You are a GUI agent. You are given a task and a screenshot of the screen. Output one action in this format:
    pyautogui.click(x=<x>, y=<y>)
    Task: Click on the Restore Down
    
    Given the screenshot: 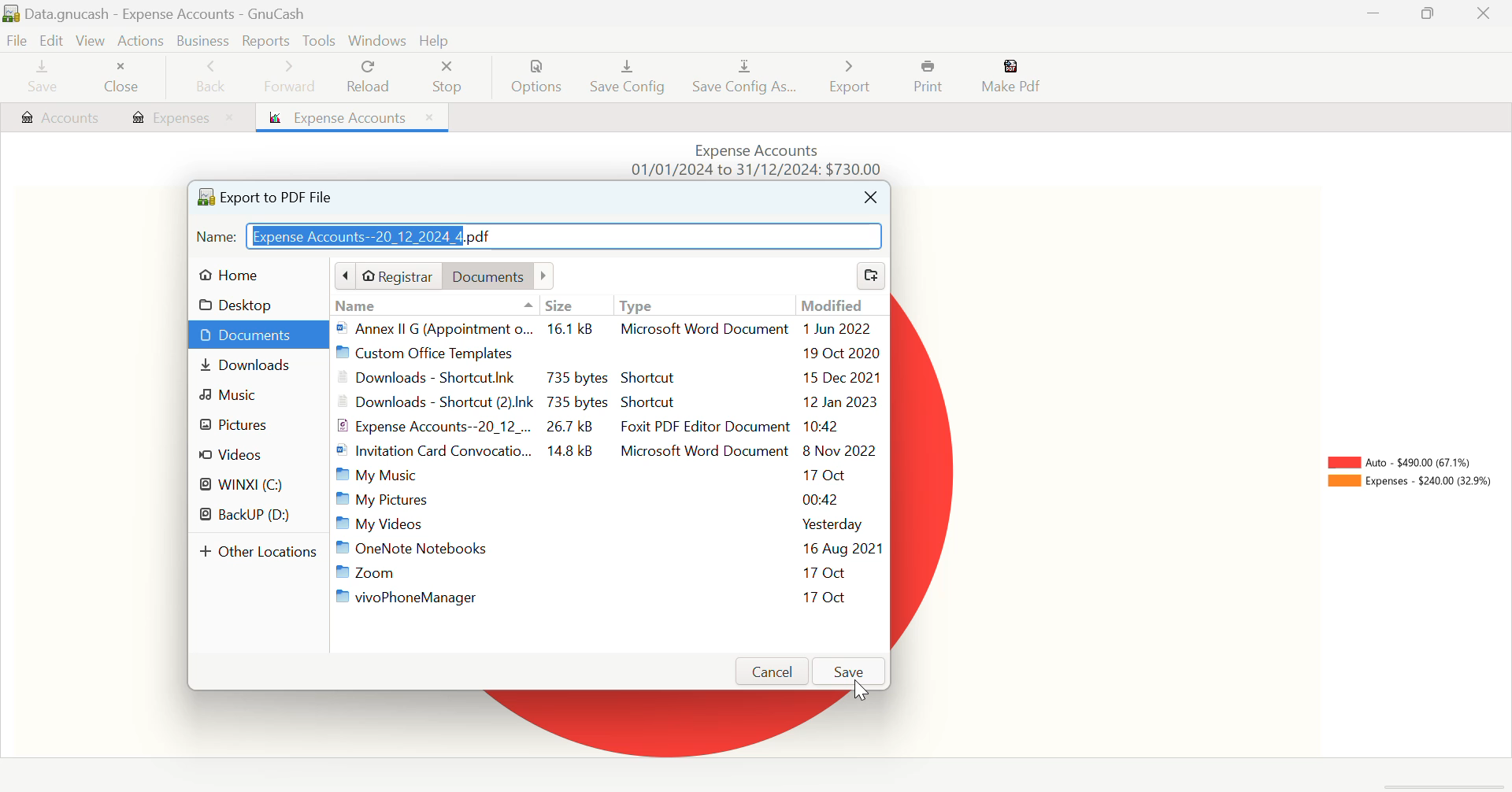 What is the action you would take?
    pyautogui.click(x=1375, y=13)
    